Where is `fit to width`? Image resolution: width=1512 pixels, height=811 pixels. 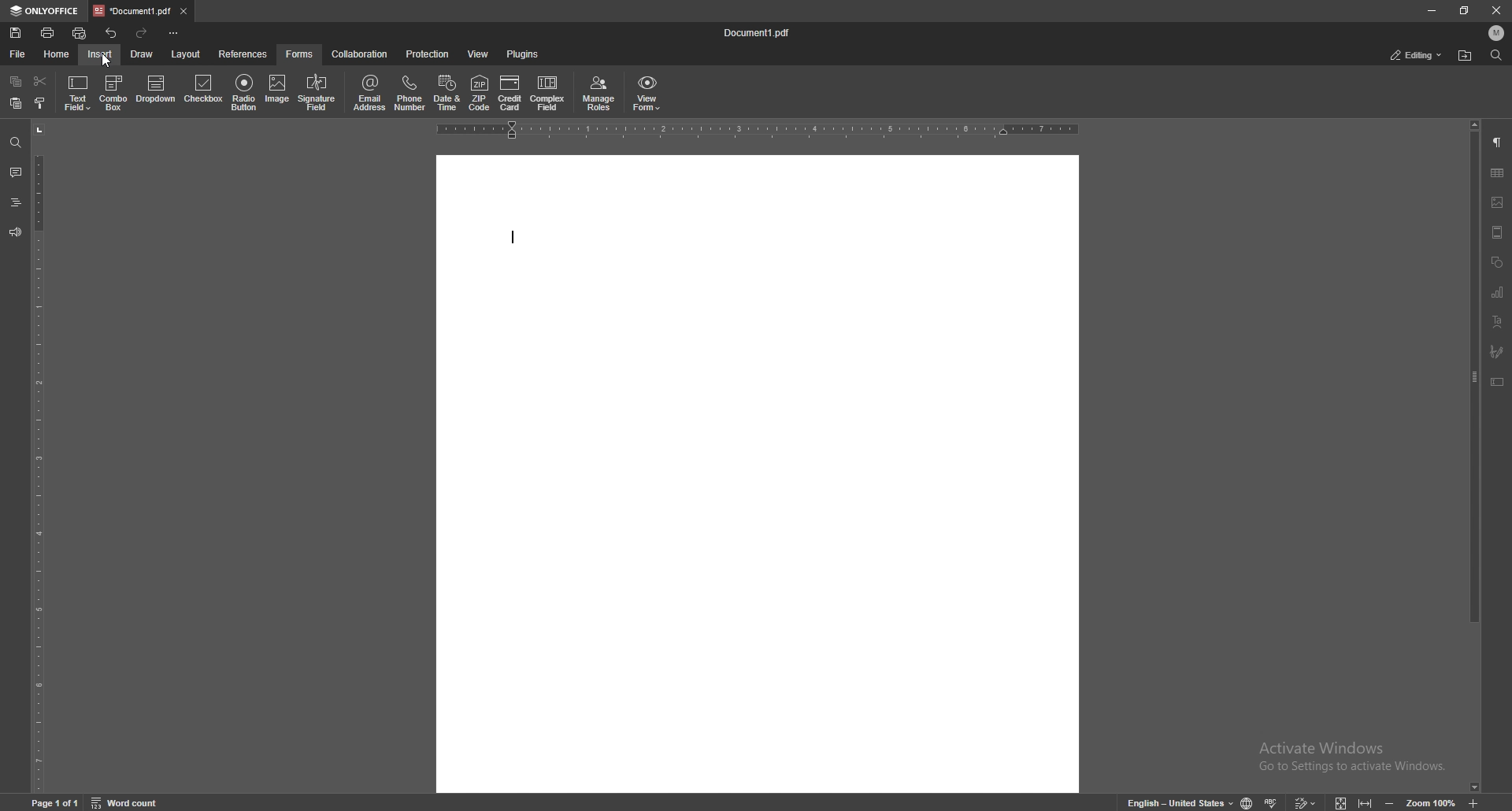 fit to width is located at coordinates (1365, 802).